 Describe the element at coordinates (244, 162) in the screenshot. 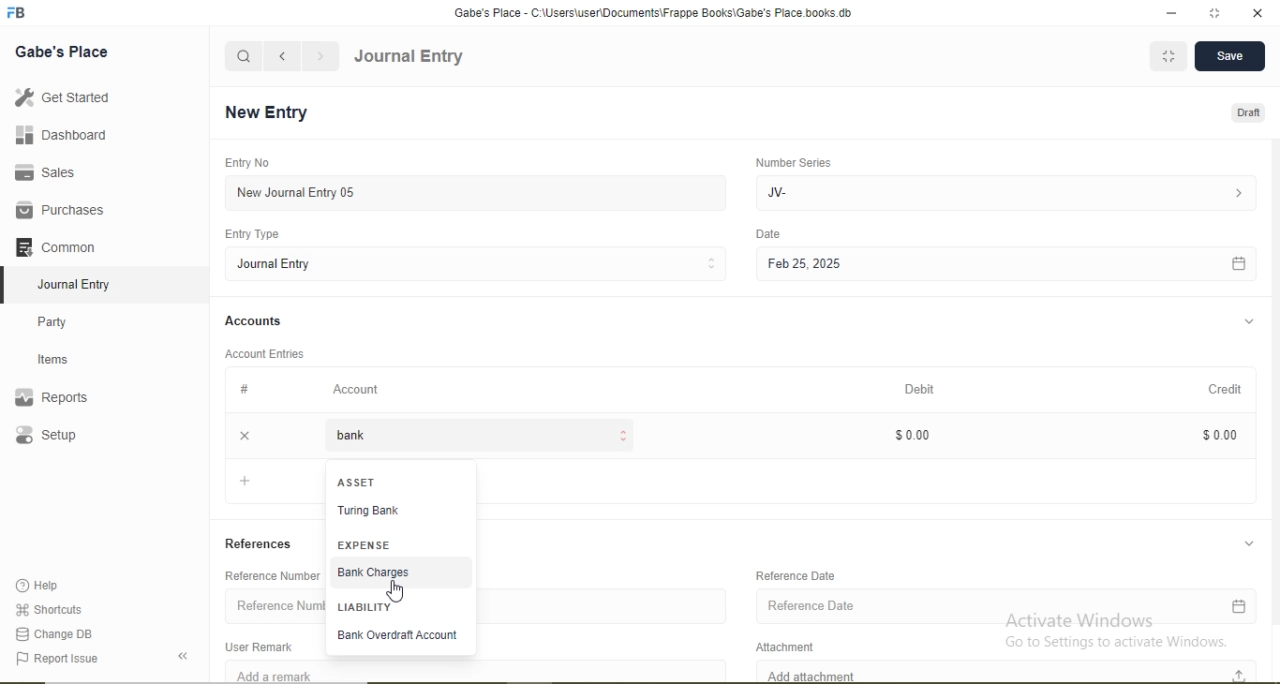

I see `Entry No` at that location.